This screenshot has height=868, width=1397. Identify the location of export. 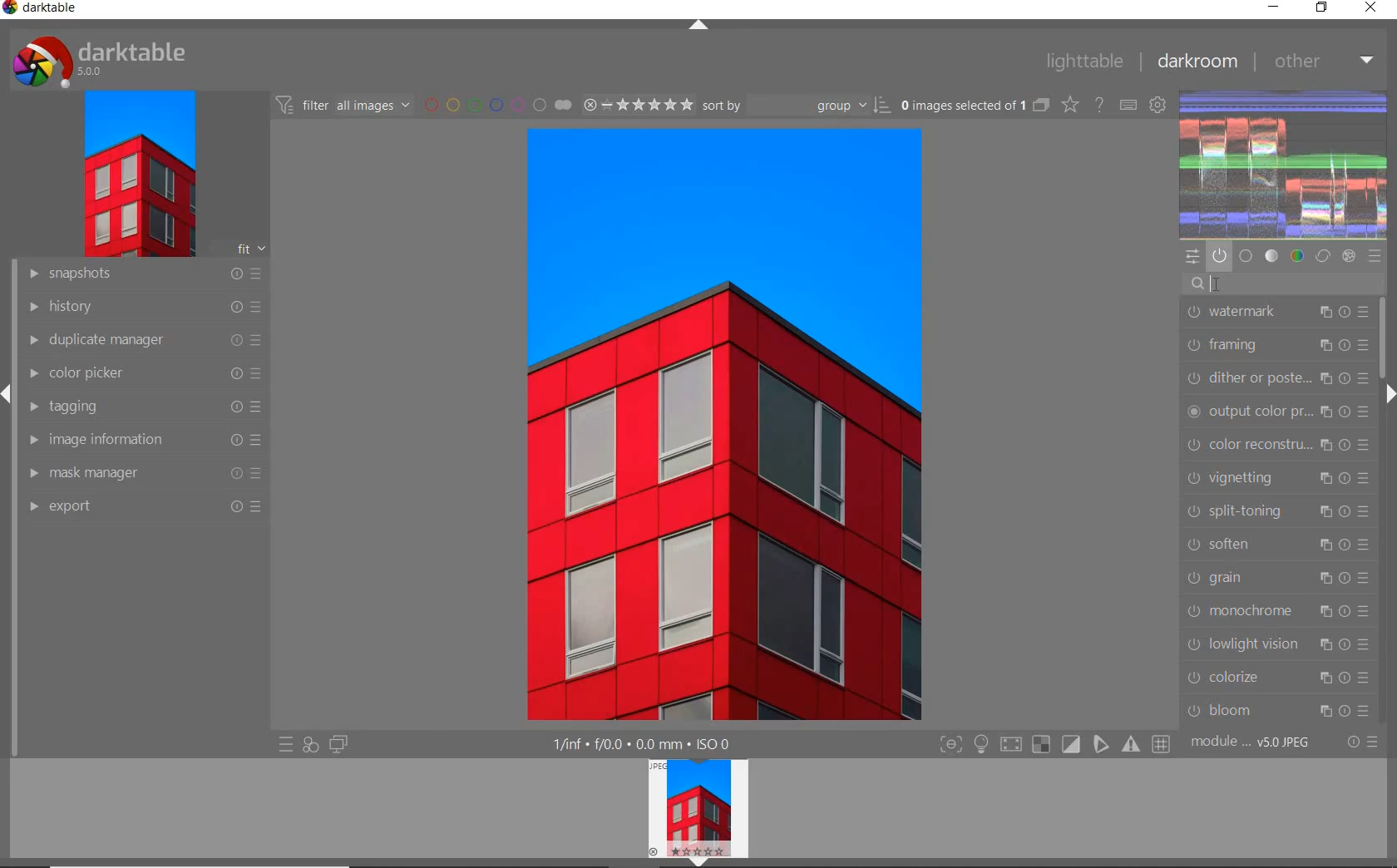
(146, 507).